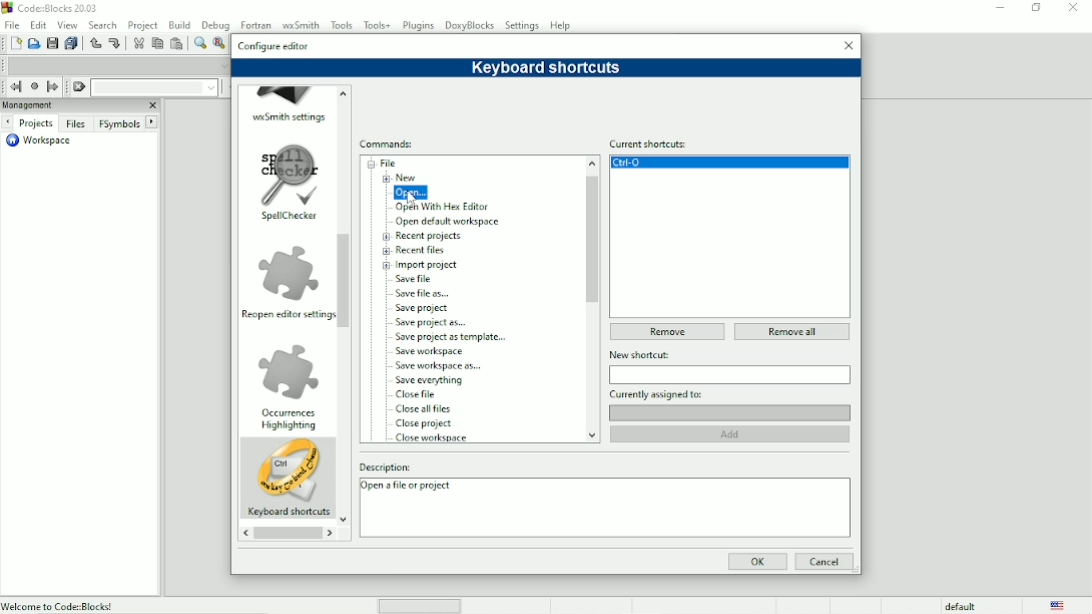 The width and height of the screenshot is (1092, 614). What do you see at coordinates (431, 236) in the screenshot?
I see `Recent projects` at bounding box center [431, 236].